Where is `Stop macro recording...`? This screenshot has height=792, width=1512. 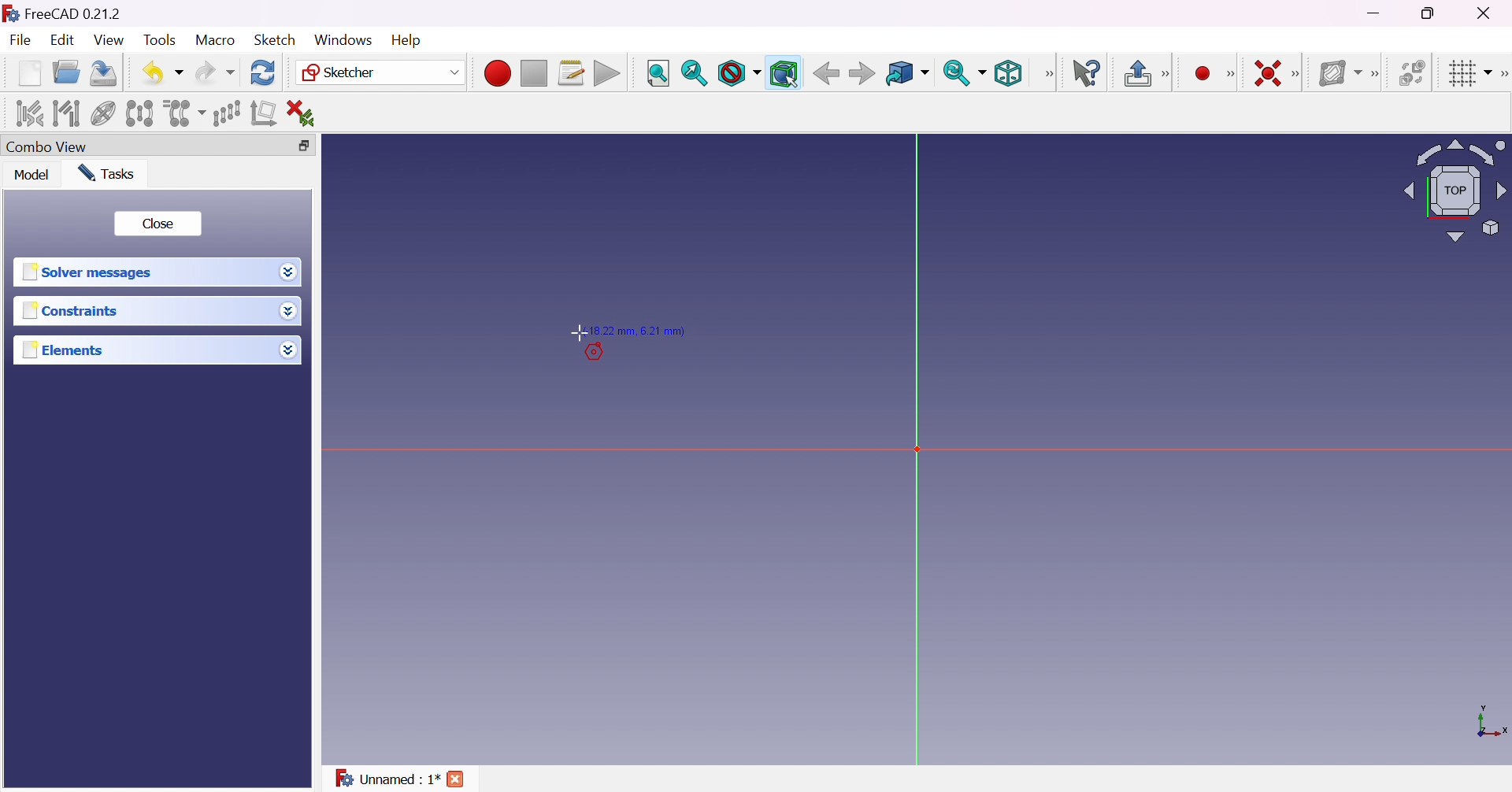
Stop macro recording... is located at coordinates (535, 74).